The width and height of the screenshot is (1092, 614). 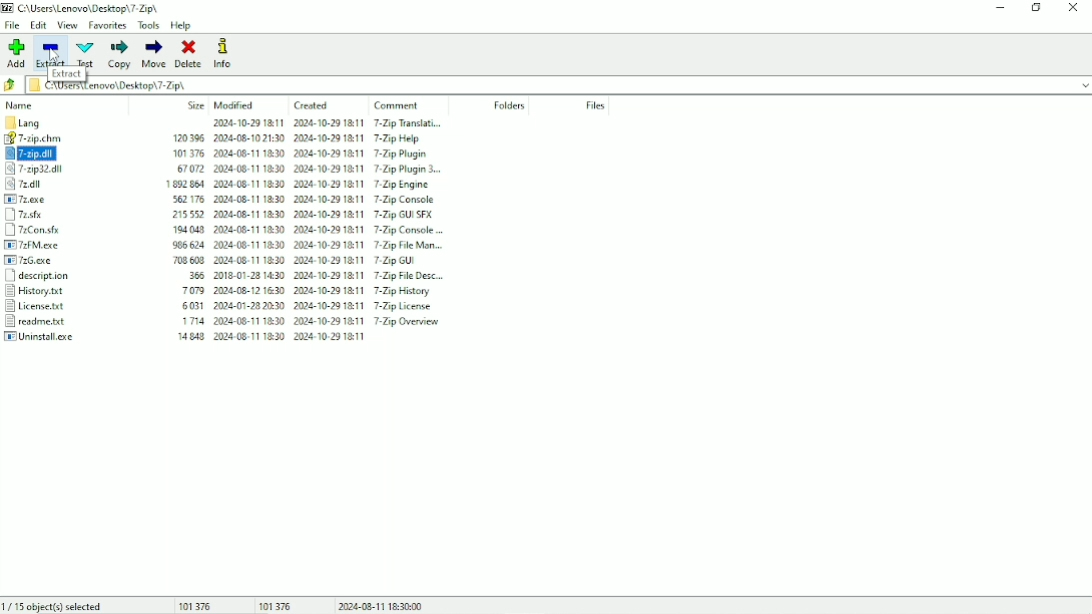 What do you see at coordinates (315, 124) in the screenshot?
I see `2024-70-29 1211 2004-10-29 1&1 T-Zip Translati...` at bounding box center [315, 124].